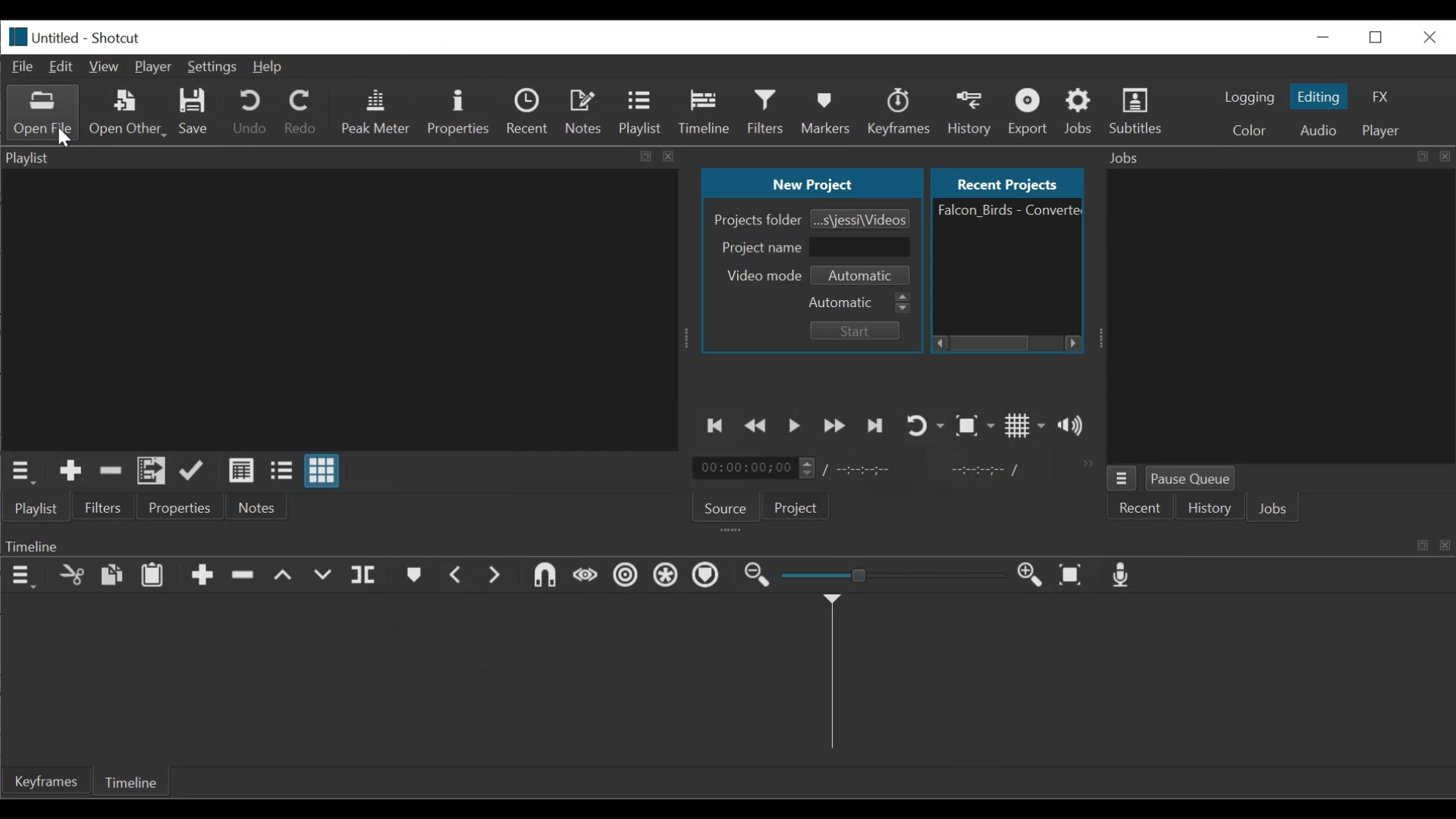  I want to click on Scroll Right, so click(1073, 344).